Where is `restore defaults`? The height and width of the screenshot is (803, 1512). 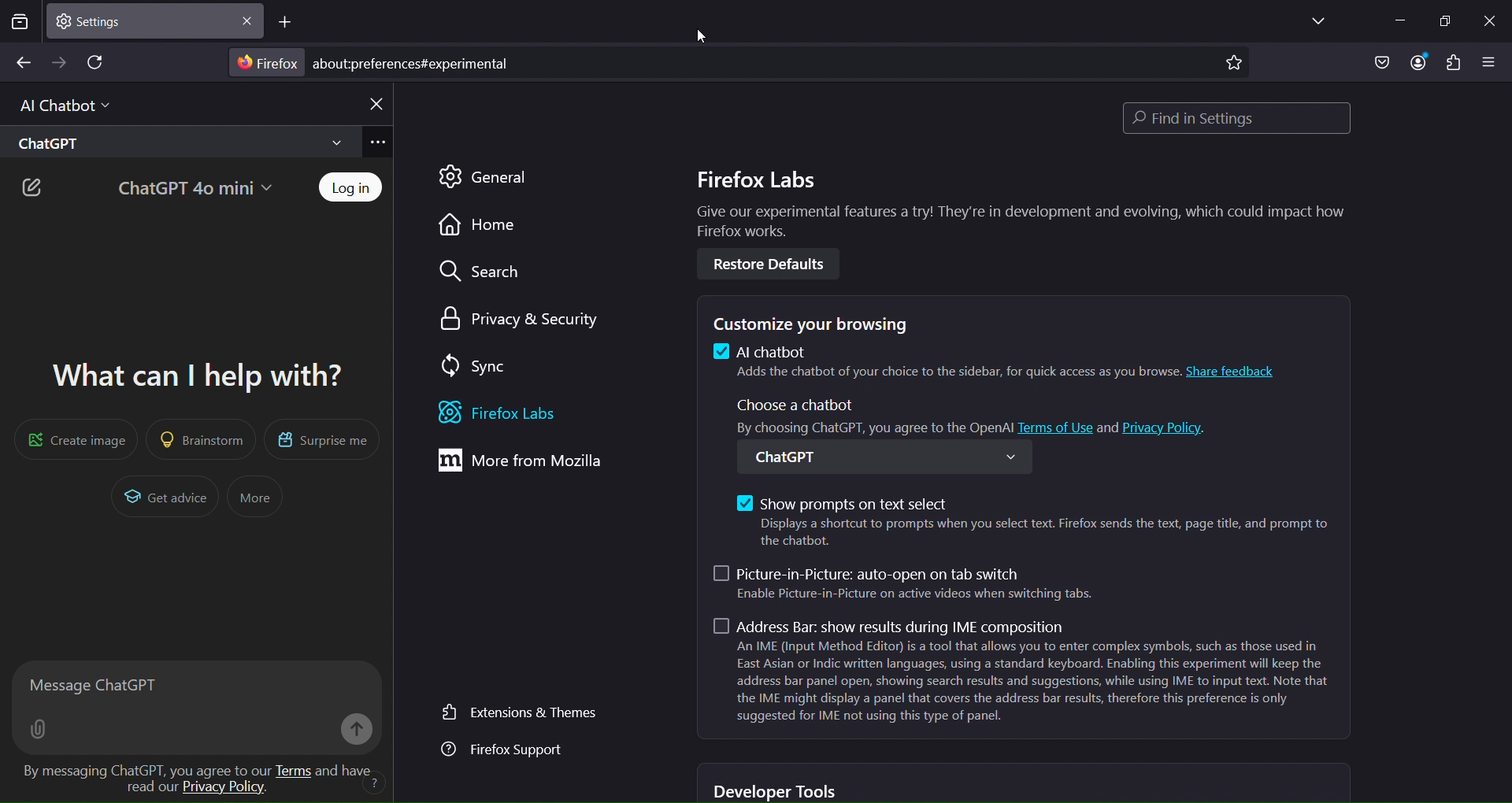 restore defaults is located at coordinates (776, 264).